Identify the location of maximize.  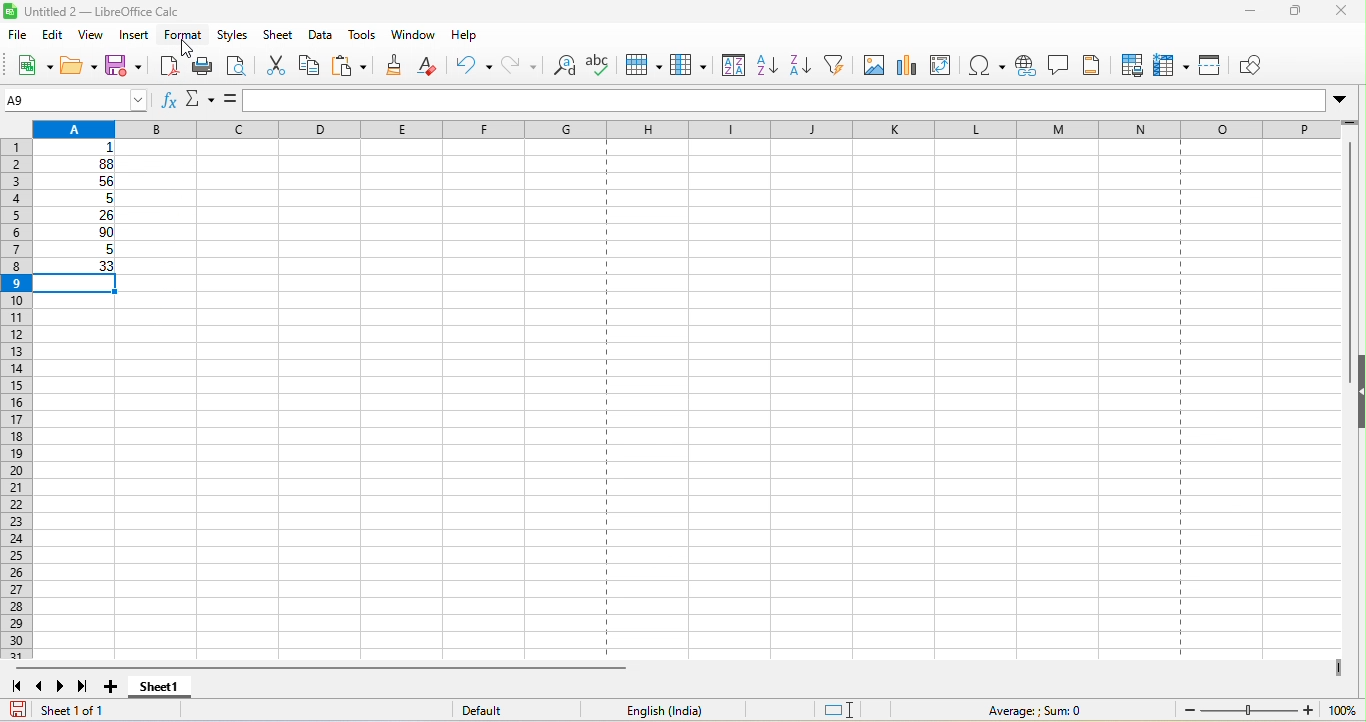
(1288, 13).